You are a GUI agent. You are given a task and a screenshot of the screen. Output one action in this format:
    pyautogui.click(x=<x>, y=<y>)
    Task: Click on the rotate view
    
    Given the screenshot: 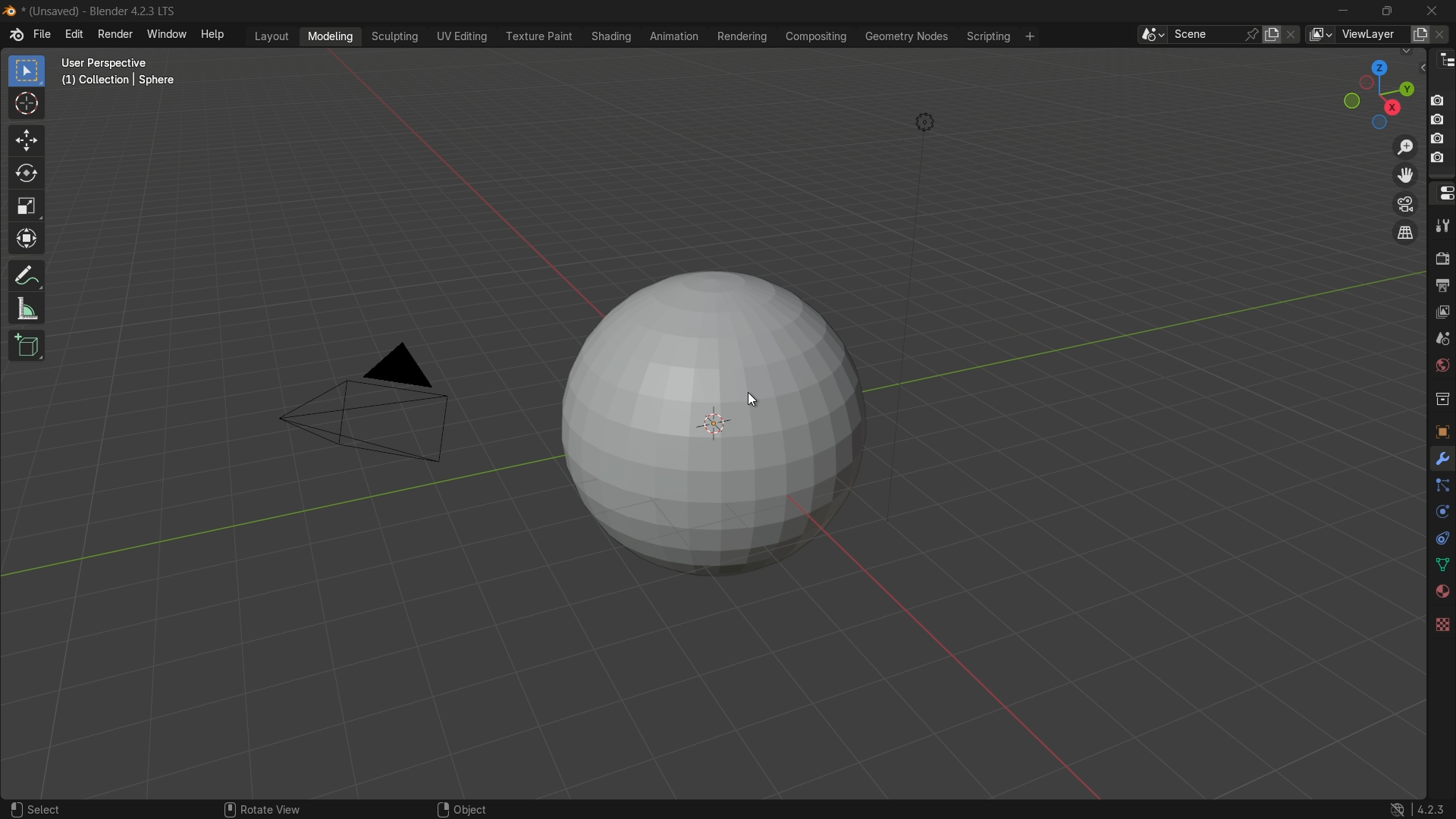 What is the action you would take?
    pyautogui.click(x=273, y=802)
    